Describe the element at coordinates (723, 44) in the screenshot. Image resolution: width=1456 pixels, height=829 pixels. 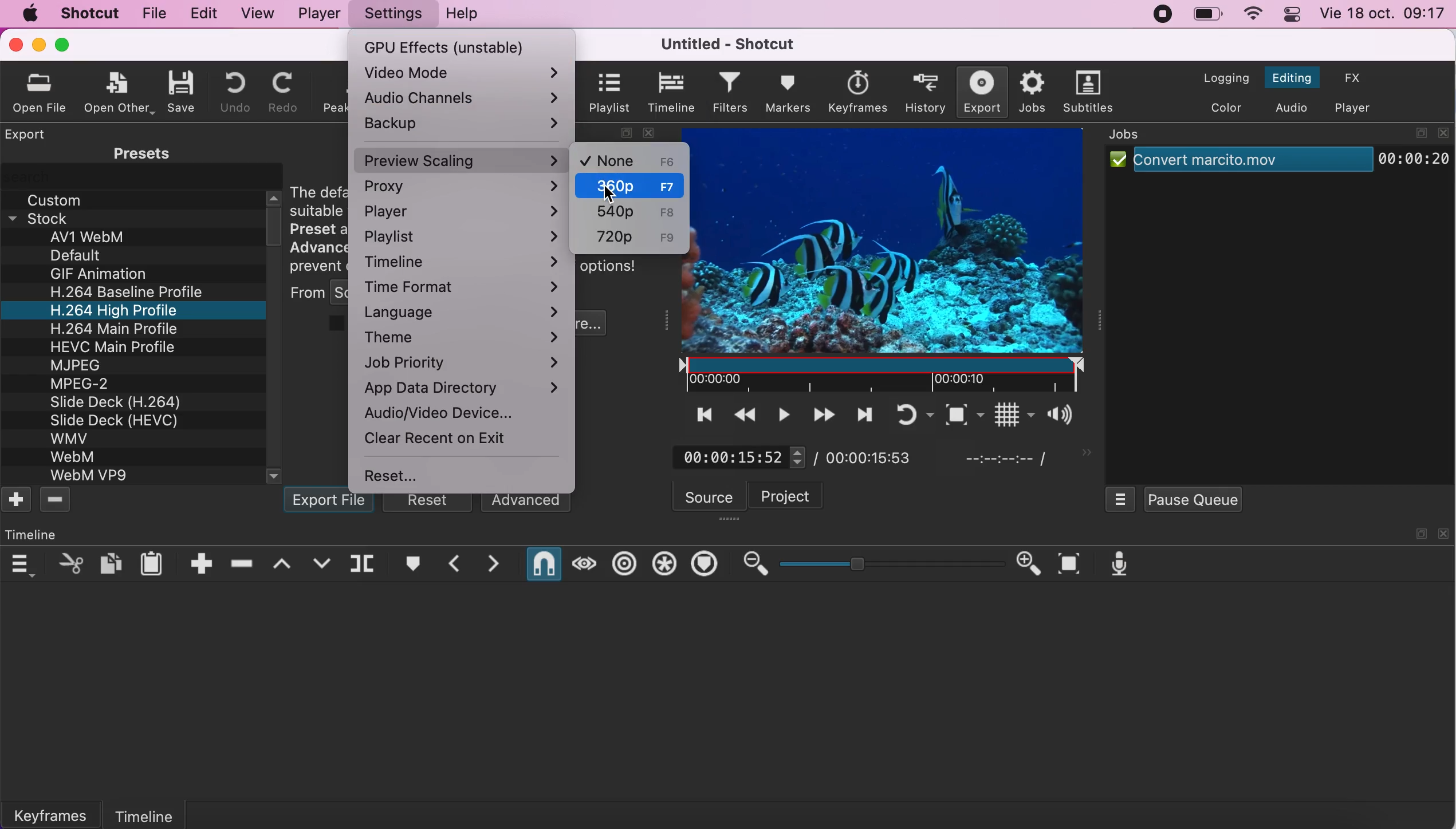
I see `title` at that location.